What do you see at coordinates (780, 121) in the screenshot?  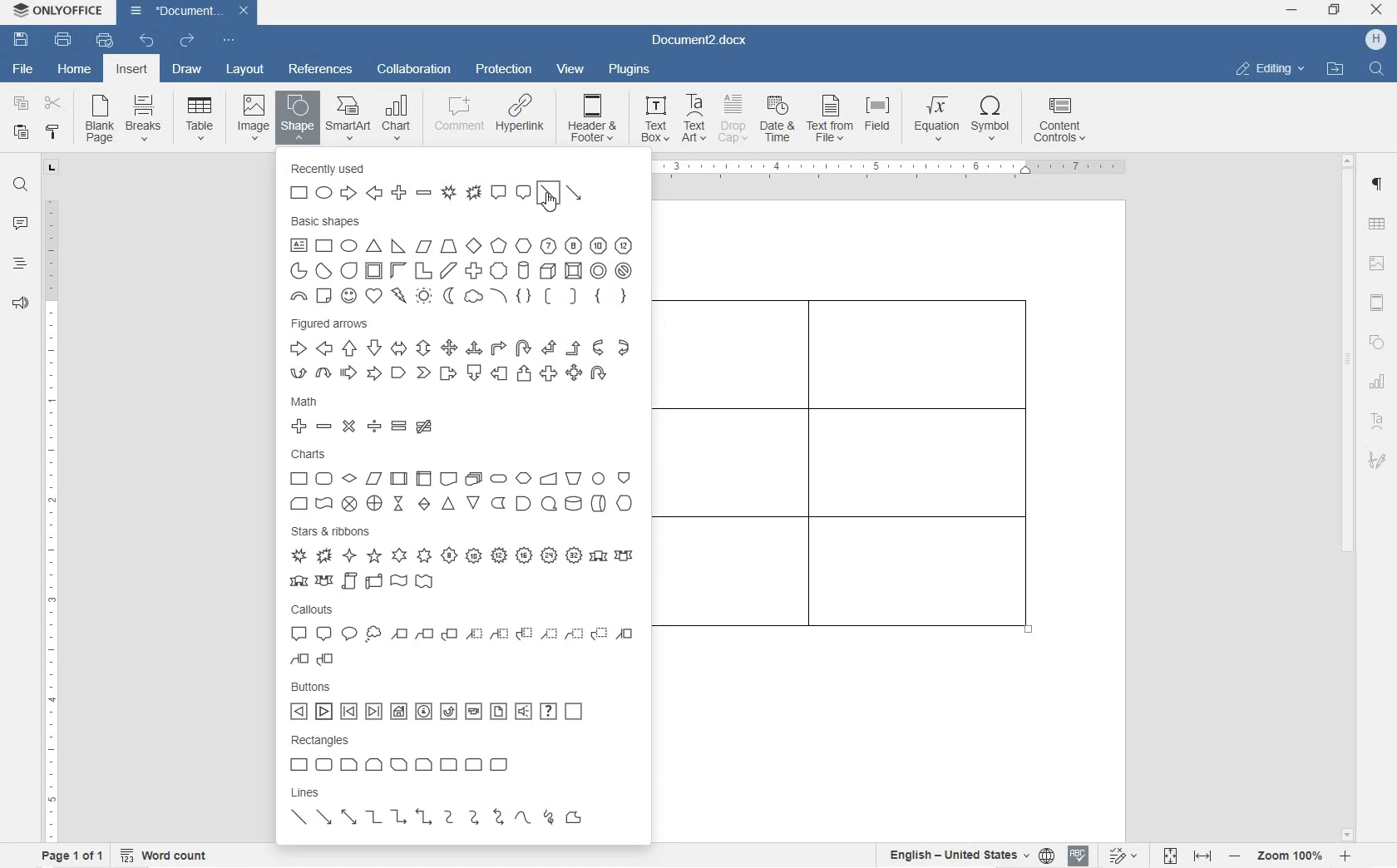 I see `DATE & TIME` at bounding box center [780, 121].